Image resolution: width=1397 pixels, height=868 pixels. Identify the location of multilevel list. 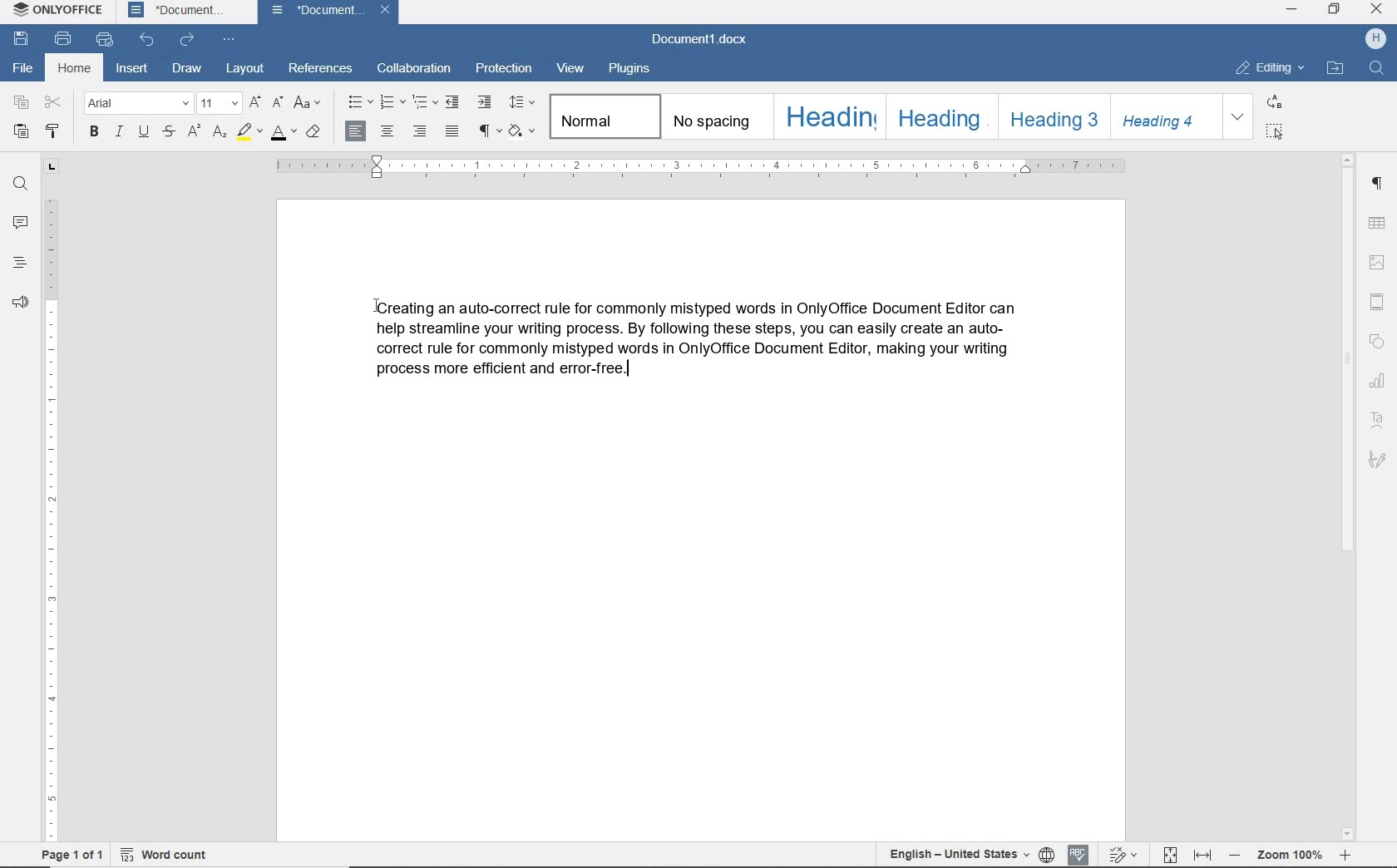
(426, 103).